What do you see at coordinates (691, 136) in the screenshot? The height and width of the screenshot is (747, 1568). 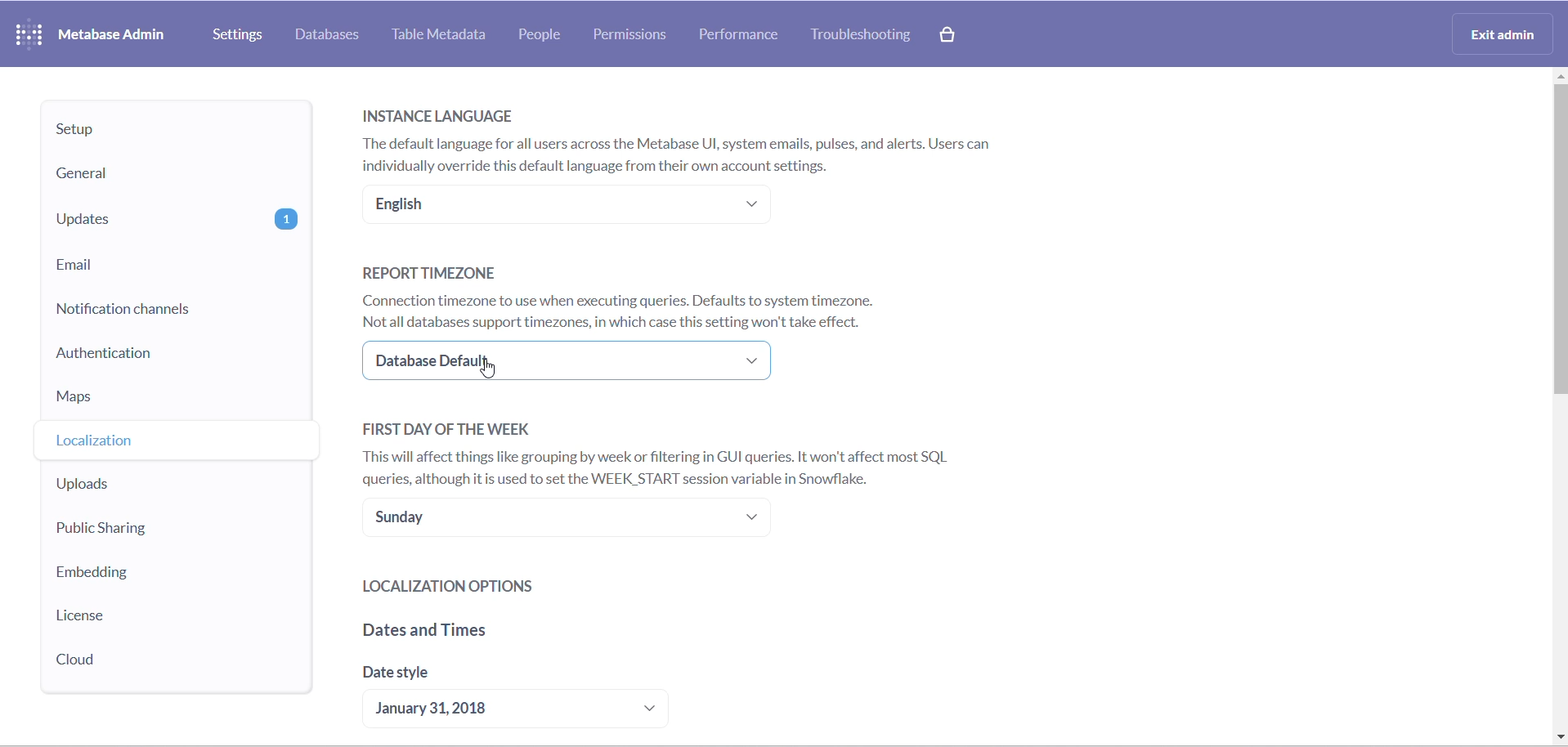 I see `INSTANCE LANGUAGE
The default language for all users across the Metabase UI, system emails, pulses, and alerts. Users can
individually override this default language from their own account settings.` at bounding box center [691, 136].